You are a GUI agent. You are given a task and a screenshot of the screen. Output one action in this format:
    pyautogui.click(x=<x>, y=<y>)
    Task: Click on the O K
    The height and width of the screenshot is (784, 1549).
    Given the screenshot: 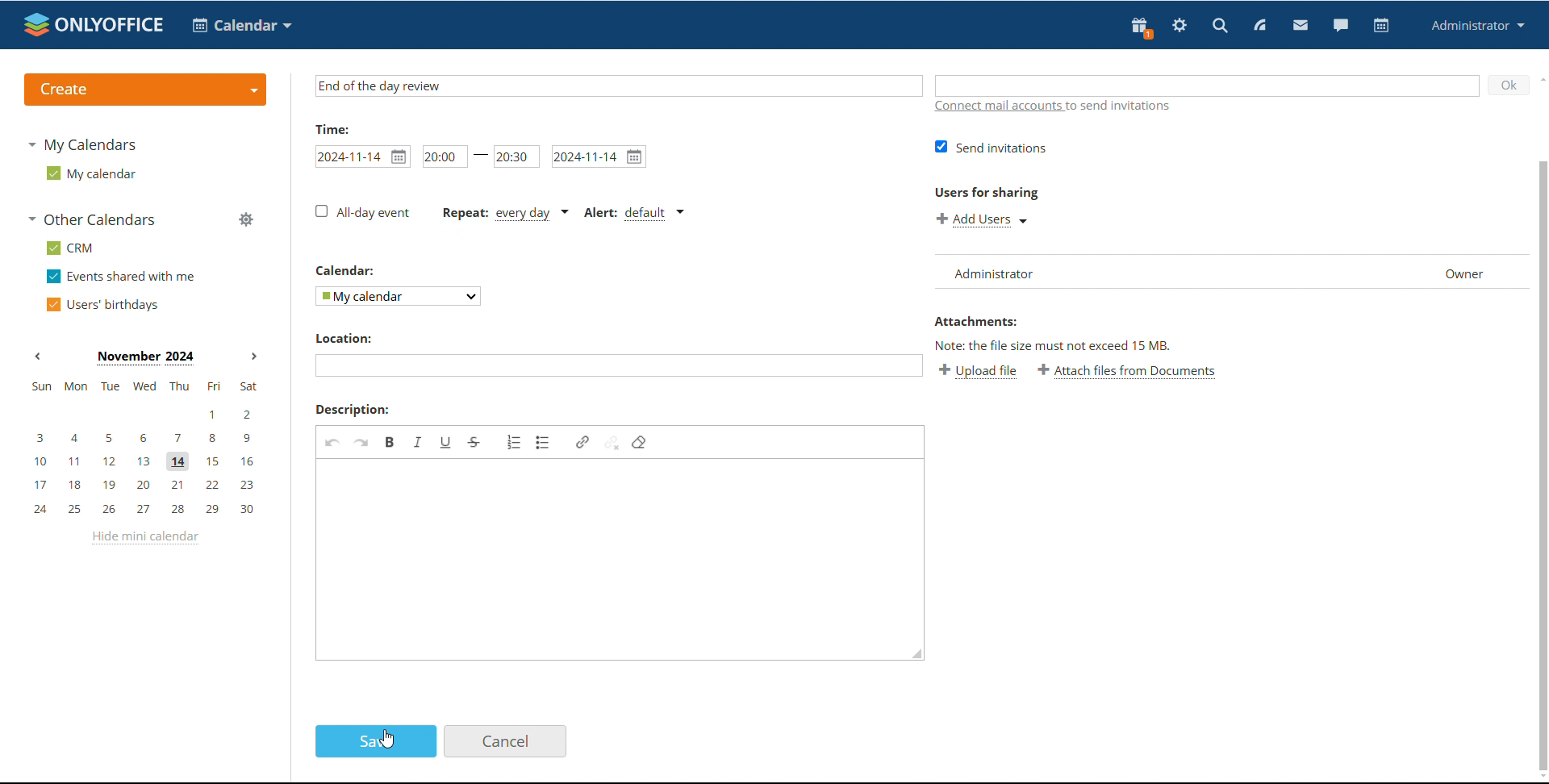 What is the action you would take?
    pyautogui.click(x=1509, y=85)
    